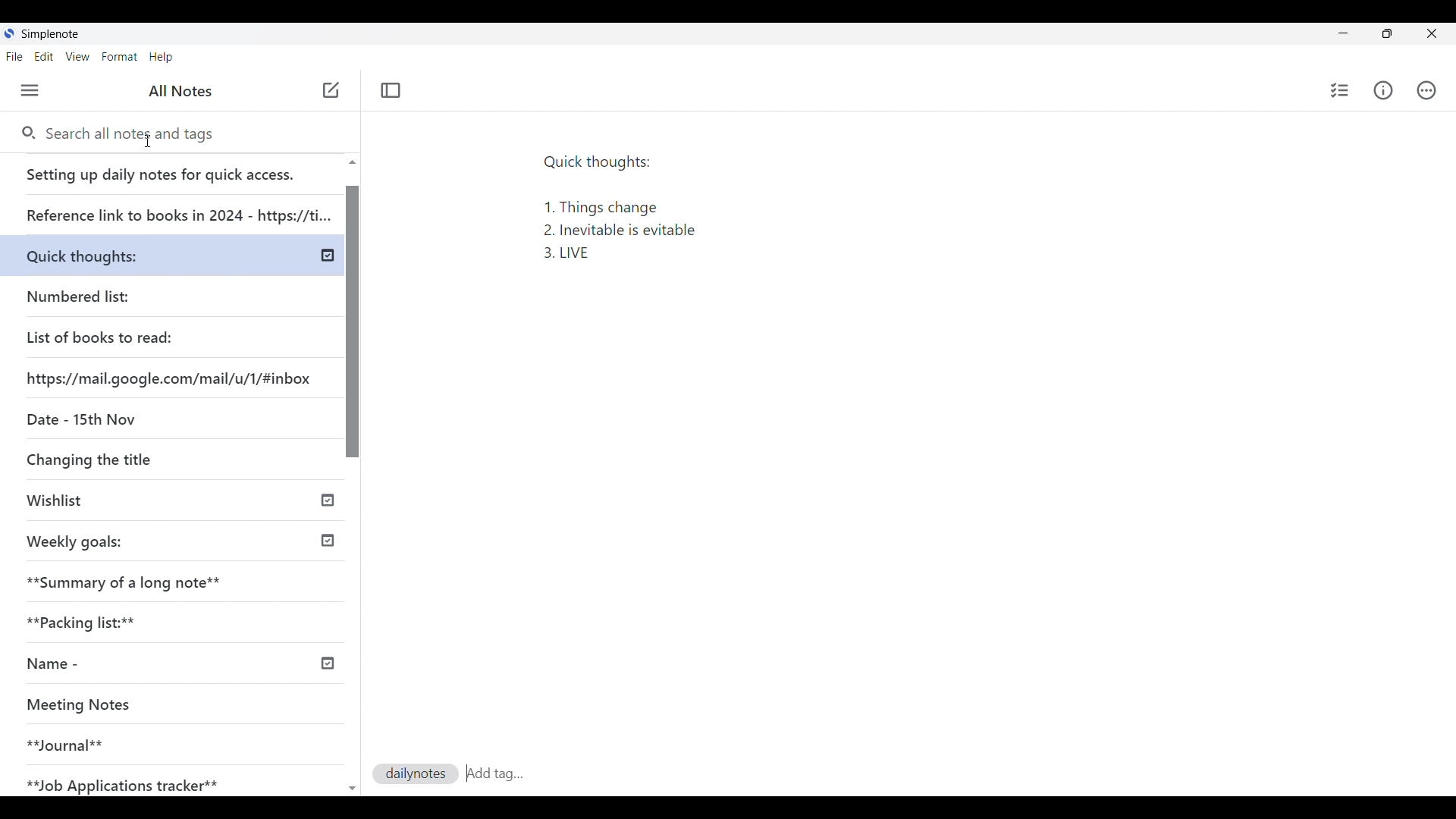  I want to click on Weekly goals, so click(74, 540).